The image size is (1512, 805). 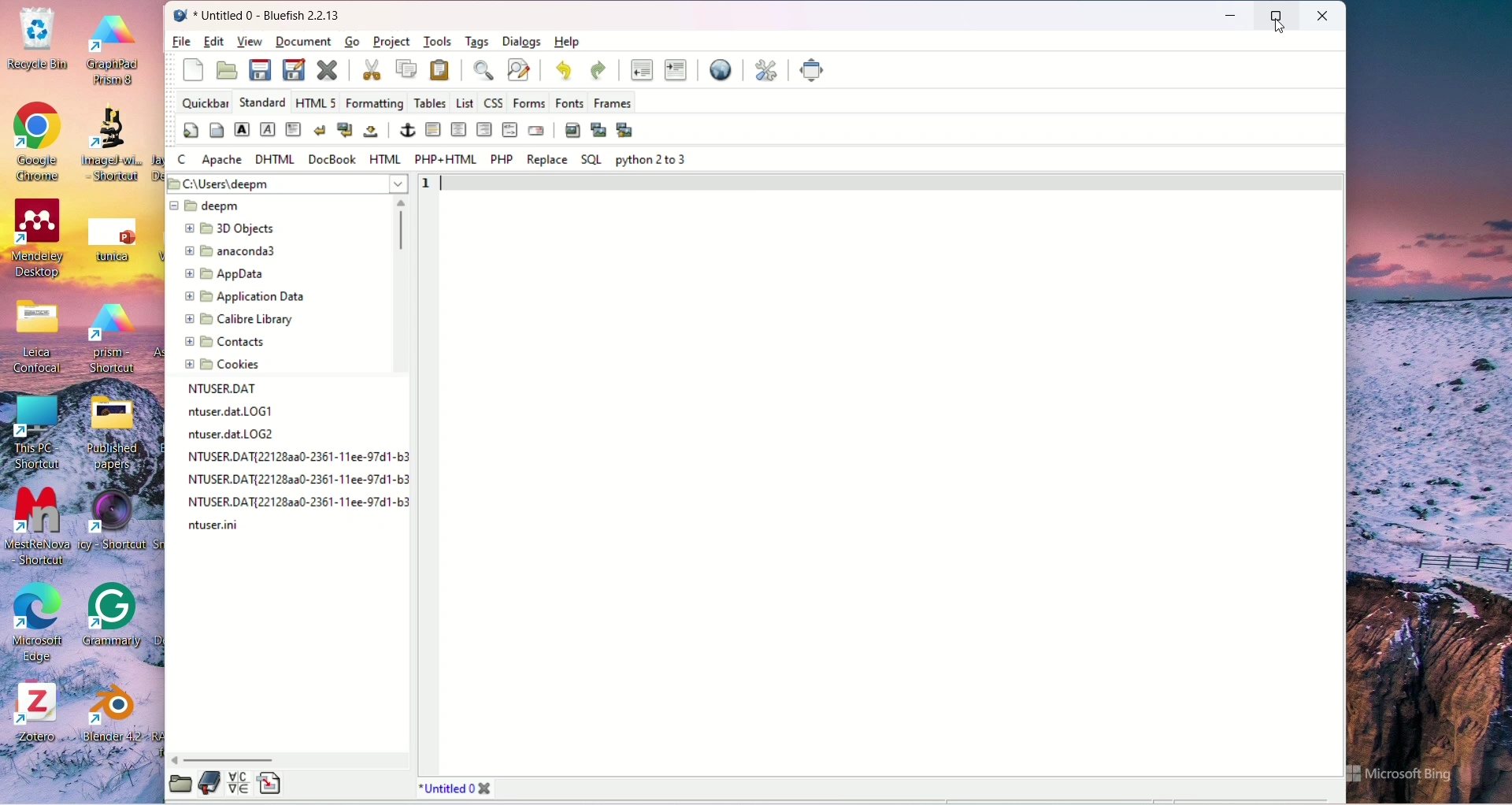 What do you see at coordinates (295, 71) in the screenshot?
I see `save file as` at bounding box center [295, 71].